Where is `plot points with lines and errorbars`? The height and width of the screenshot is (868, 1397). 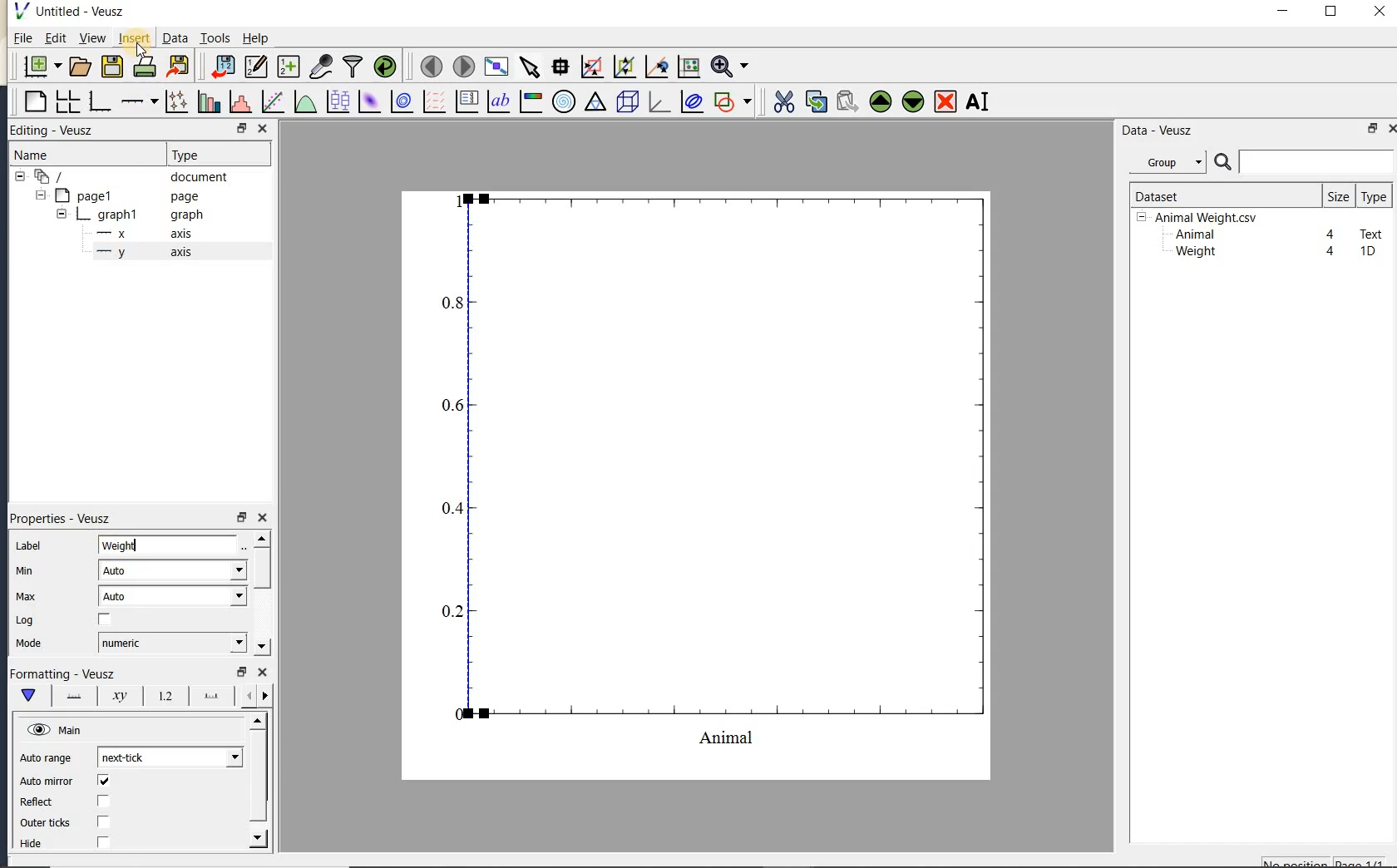
plot points with lines and errorbars is located at coordinates (178, 101).